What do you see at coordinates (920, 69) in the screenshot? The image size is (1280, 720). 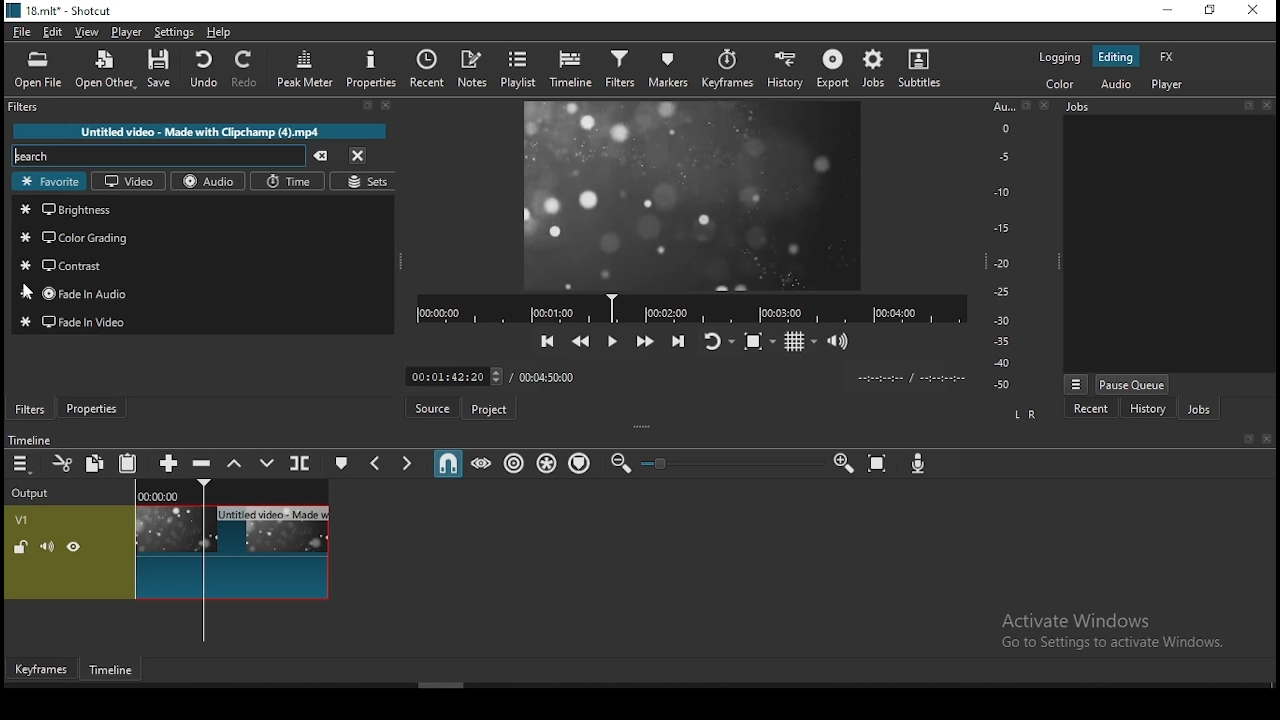 I see `subtitles` at bounding box center [920, 69].